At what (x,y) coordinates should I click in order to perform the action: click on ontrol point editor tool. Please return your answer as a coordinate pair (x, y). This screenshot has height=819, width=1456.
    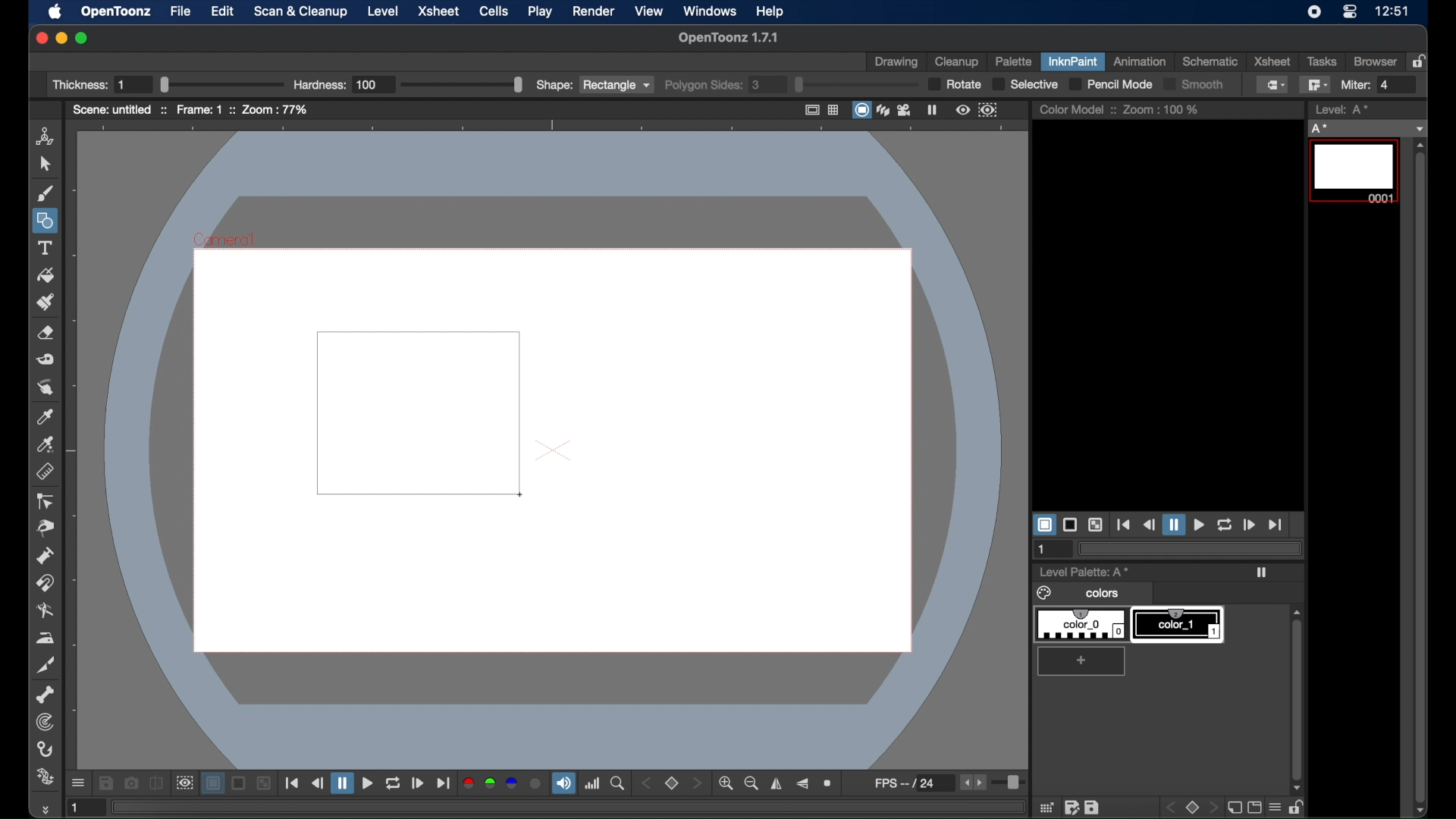
    Looking at the image, I should click on (45, 501).